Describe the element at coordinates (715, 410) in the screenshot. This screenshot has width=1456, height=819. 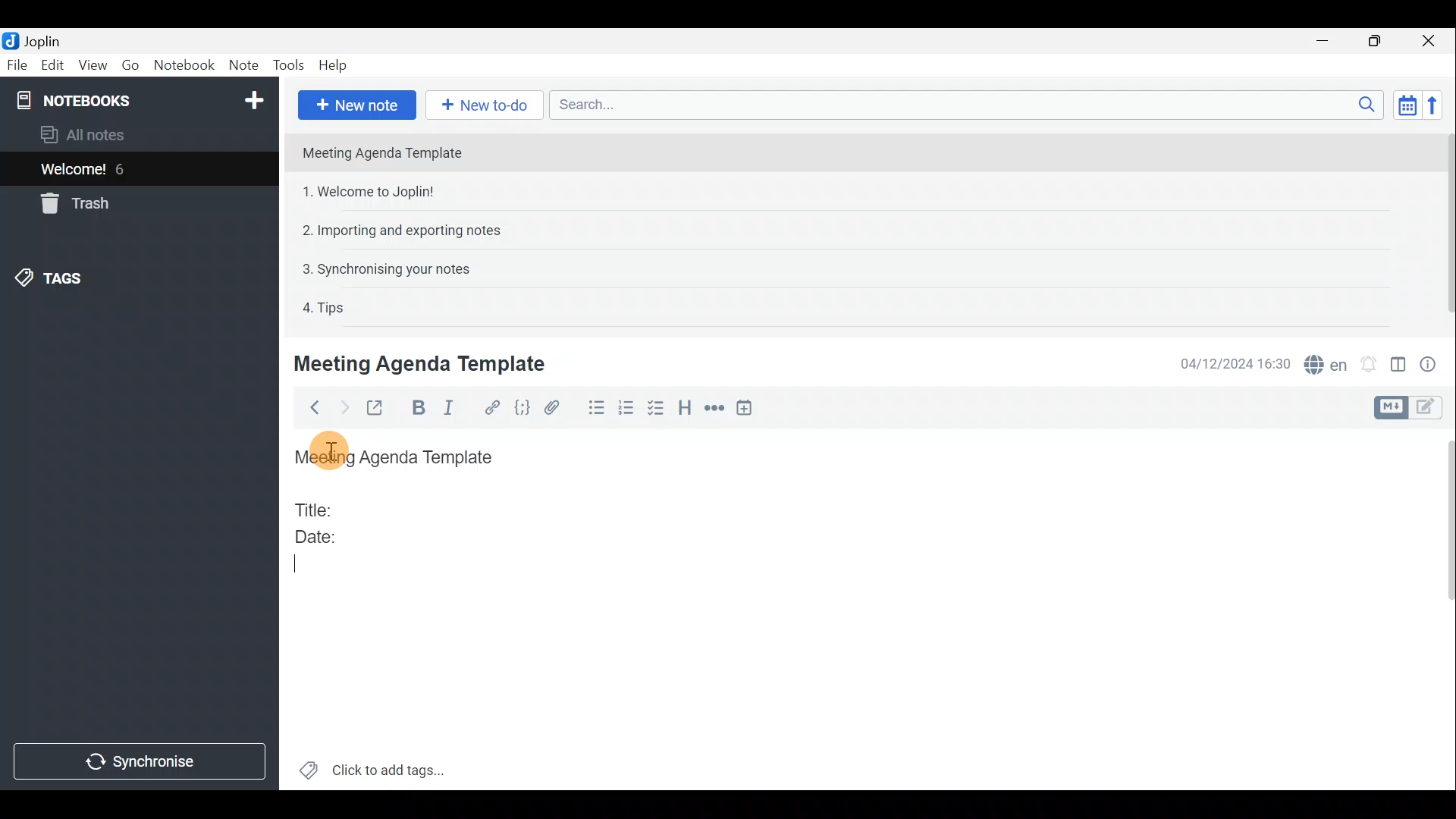
I see `Horizontal rule` at that location.